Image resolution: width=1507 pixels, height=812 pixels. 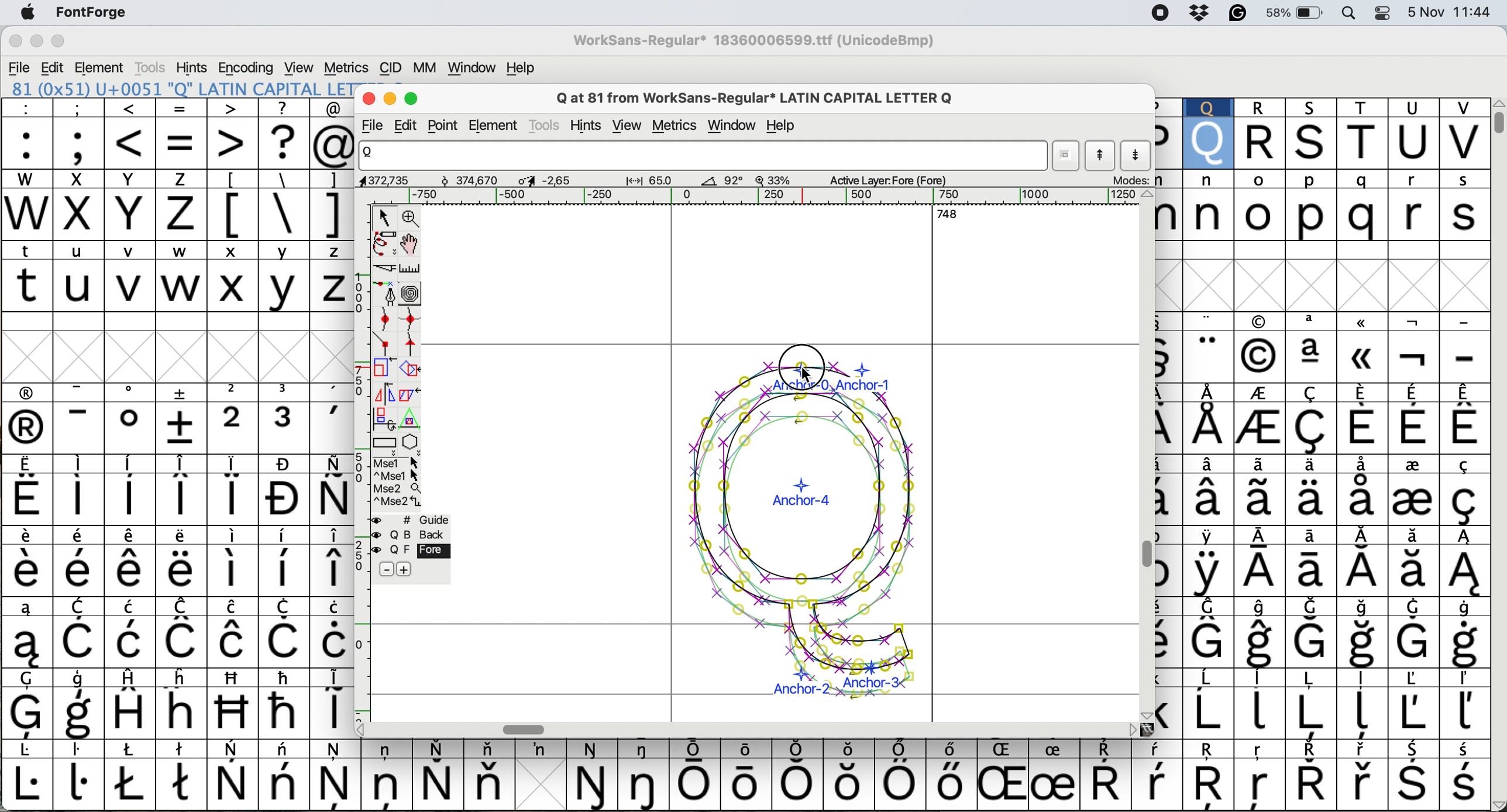 I want to click on dropbox, so click(x=1201, y=15).